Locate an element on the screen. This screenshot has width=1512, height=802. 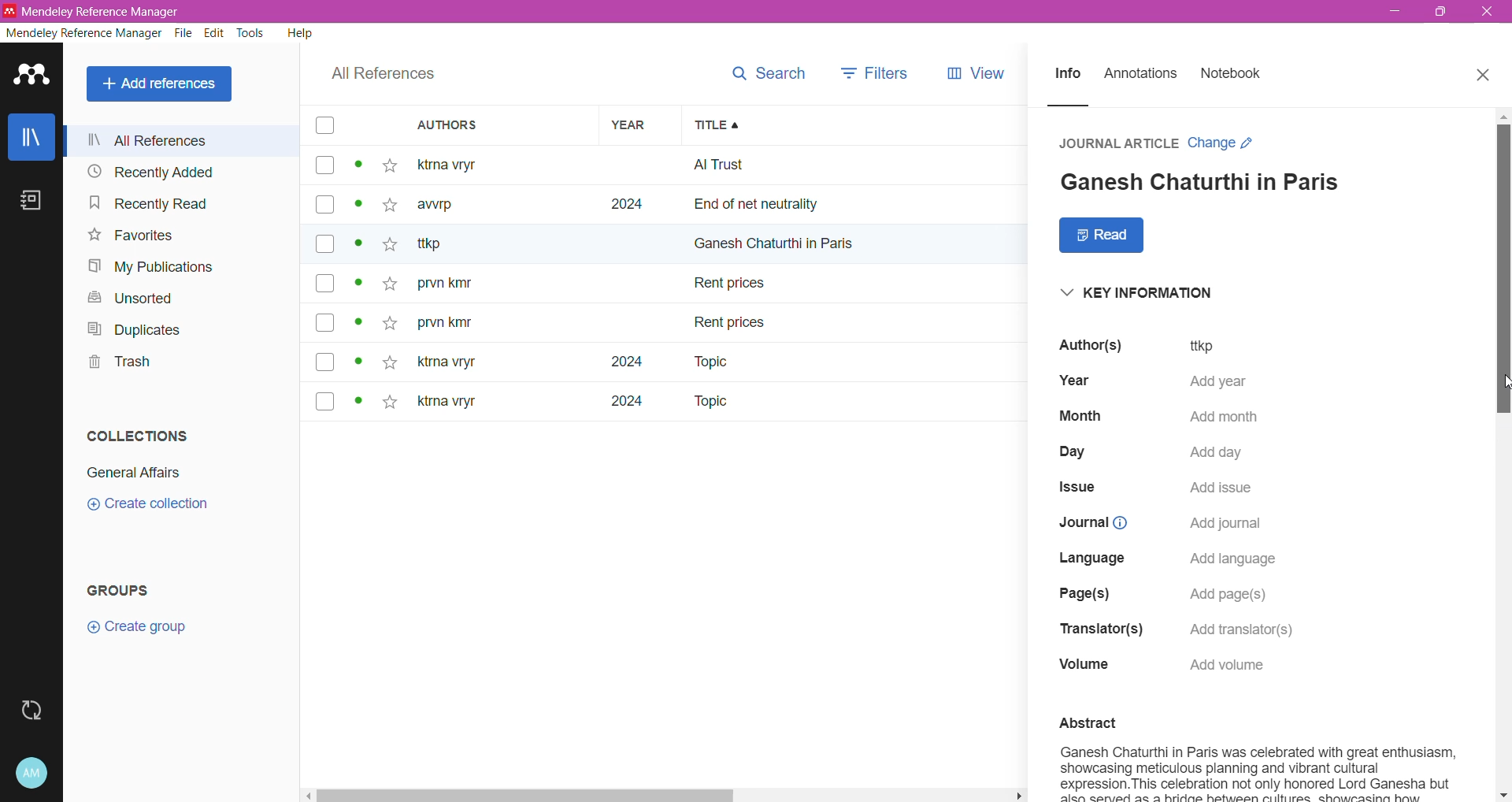
Collections is located at coordinates (135, 436).